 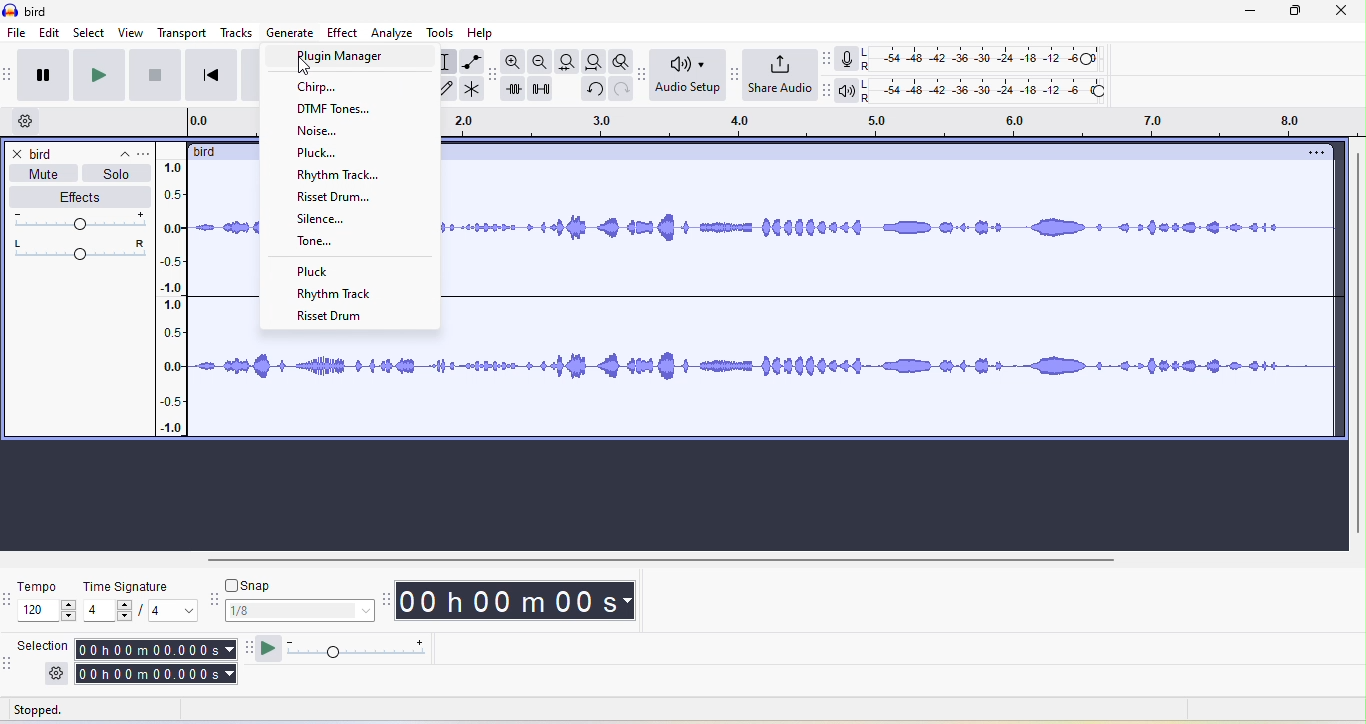 I want to click on plugin manager, so click(x=341, y=58).